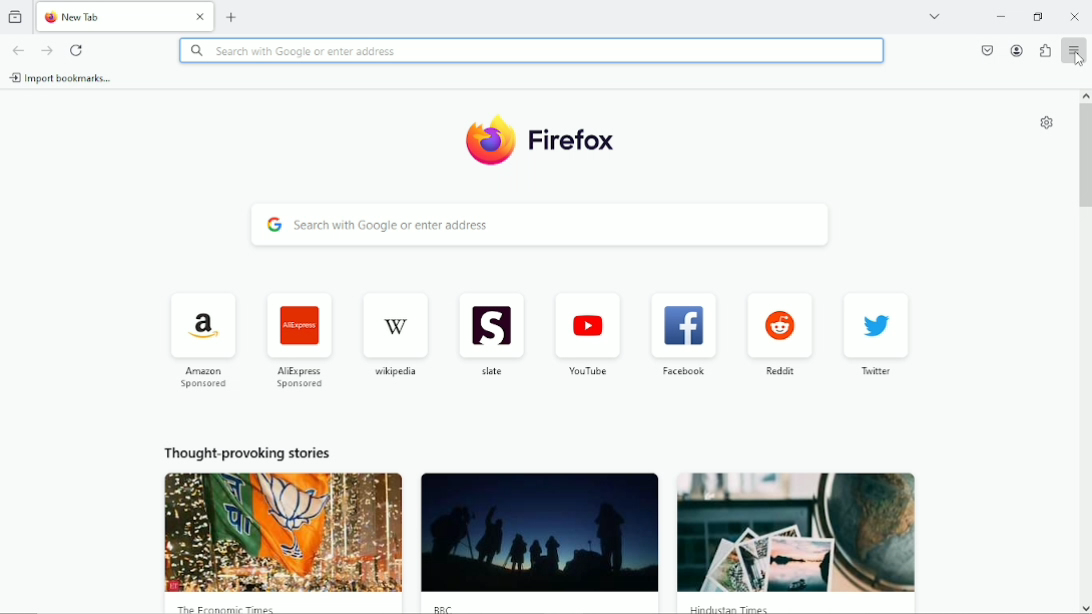 The height and width of the screenshot is (614, 1092). Describe the element at coordinates (204, 343) in the screenshot. I see `Amazon Sponsored` at that location.